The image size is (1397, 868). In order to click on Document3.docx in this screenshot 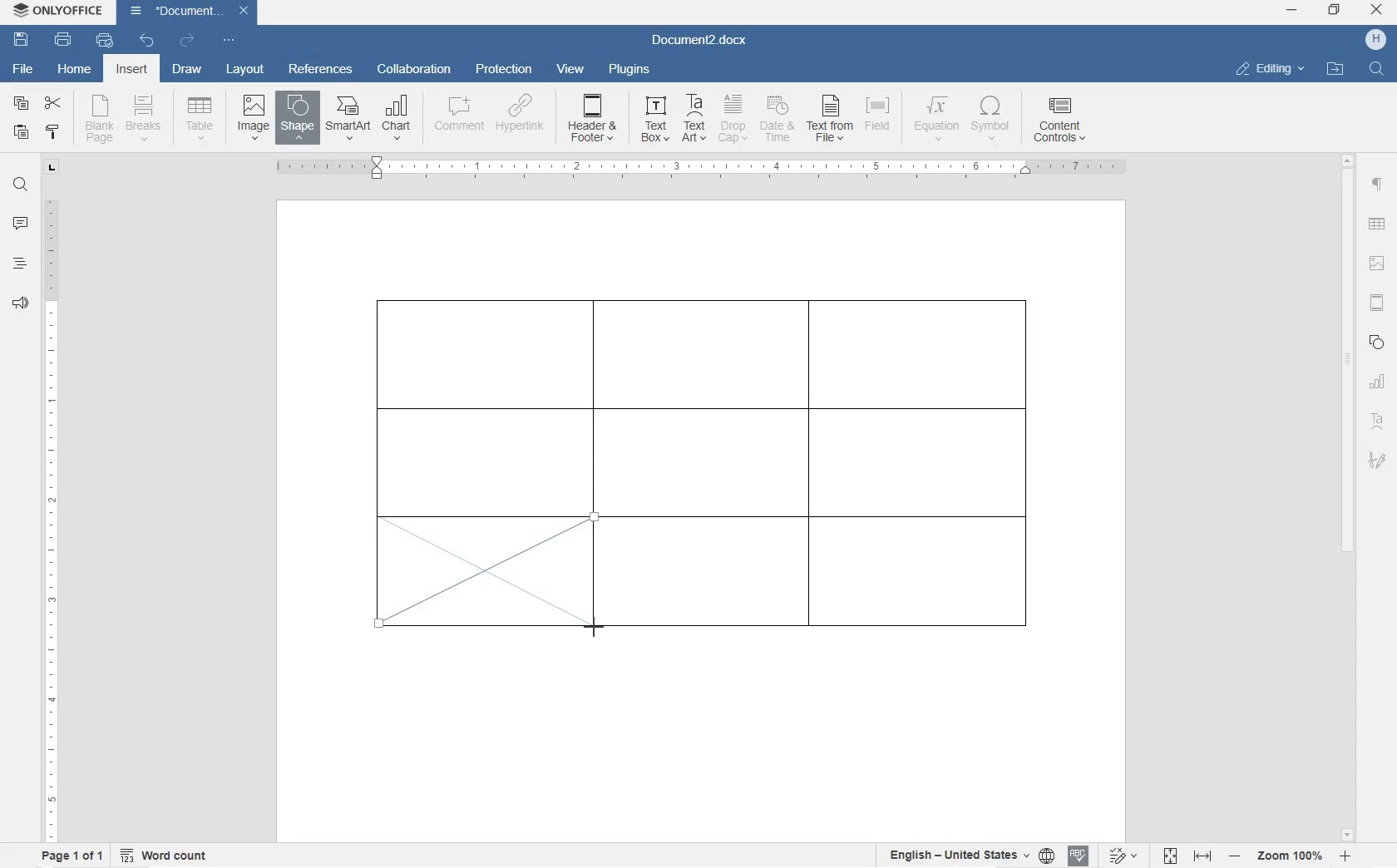, I will do `click(189, 12)`.